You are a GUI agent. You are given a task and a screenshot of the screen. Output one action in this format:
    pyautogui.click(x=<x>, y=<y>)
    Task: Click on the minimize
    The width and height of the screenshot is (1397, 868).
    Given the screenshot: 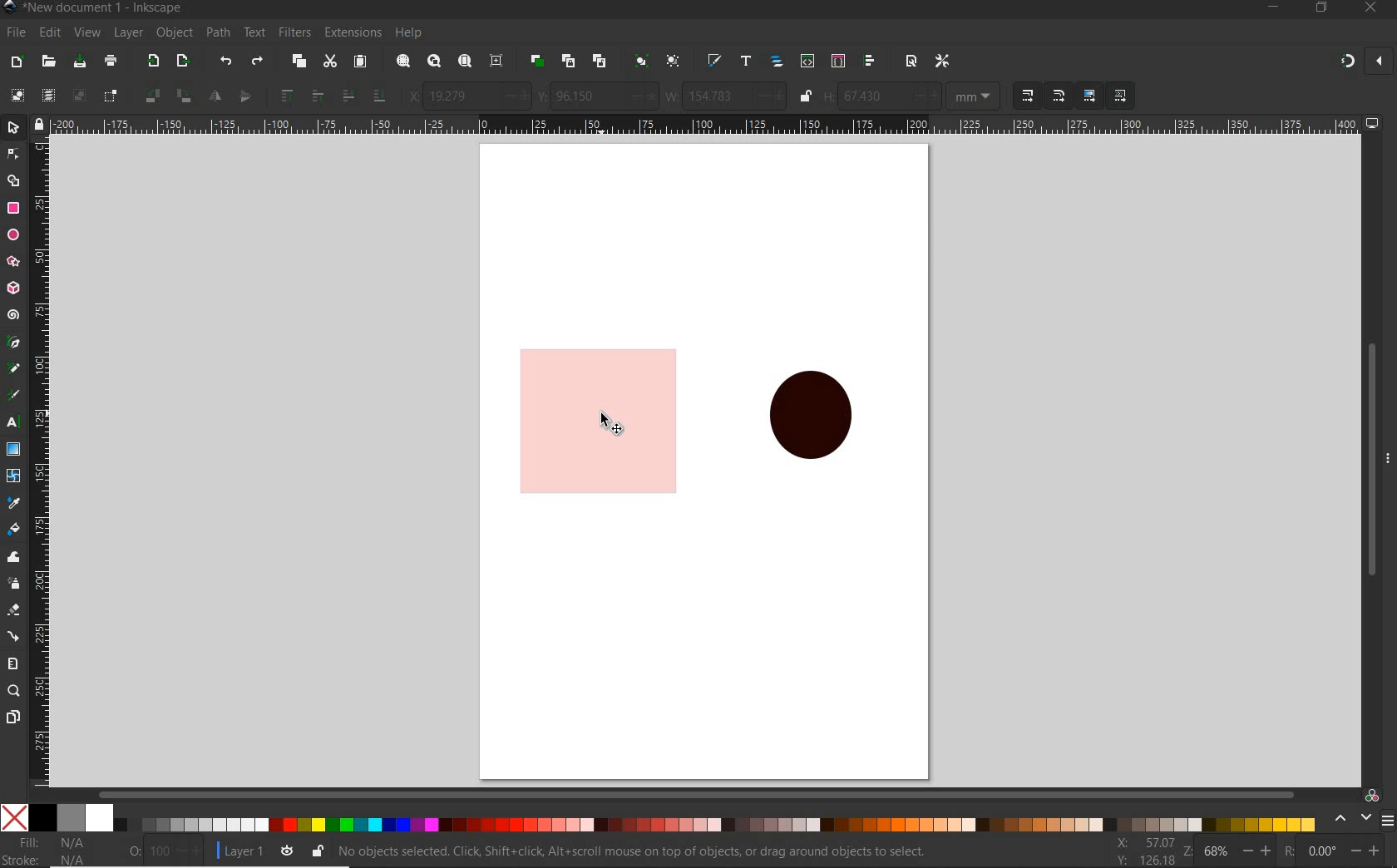 What is the action you would take?
    pyautogui.click(x=1275, y=6)
    